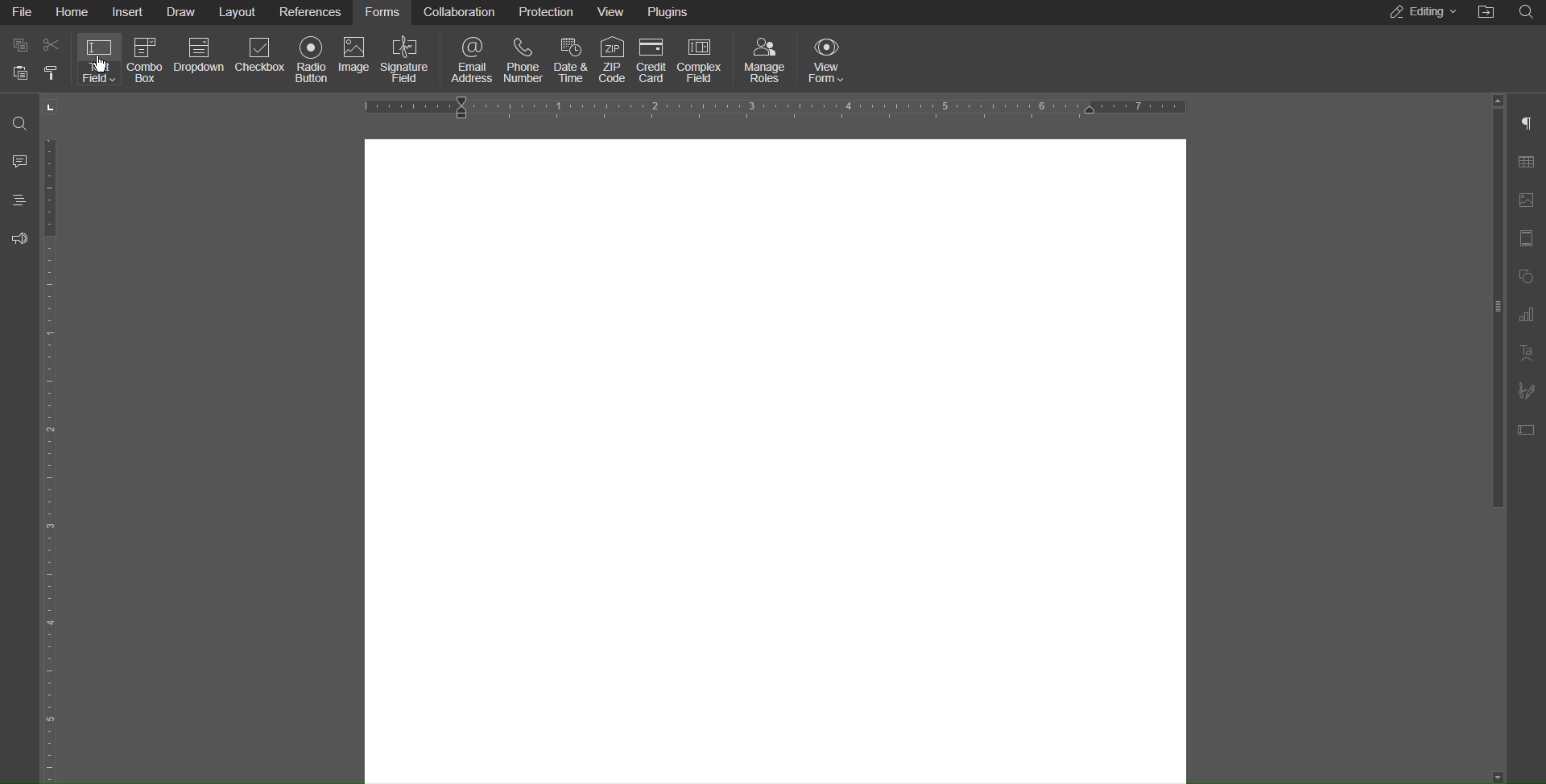 Image resolution: width=1546 pixels, height=784 pixels. Describe the element at coordinates (408, 60) in the screenshot. I see `Signature Field` at that location.